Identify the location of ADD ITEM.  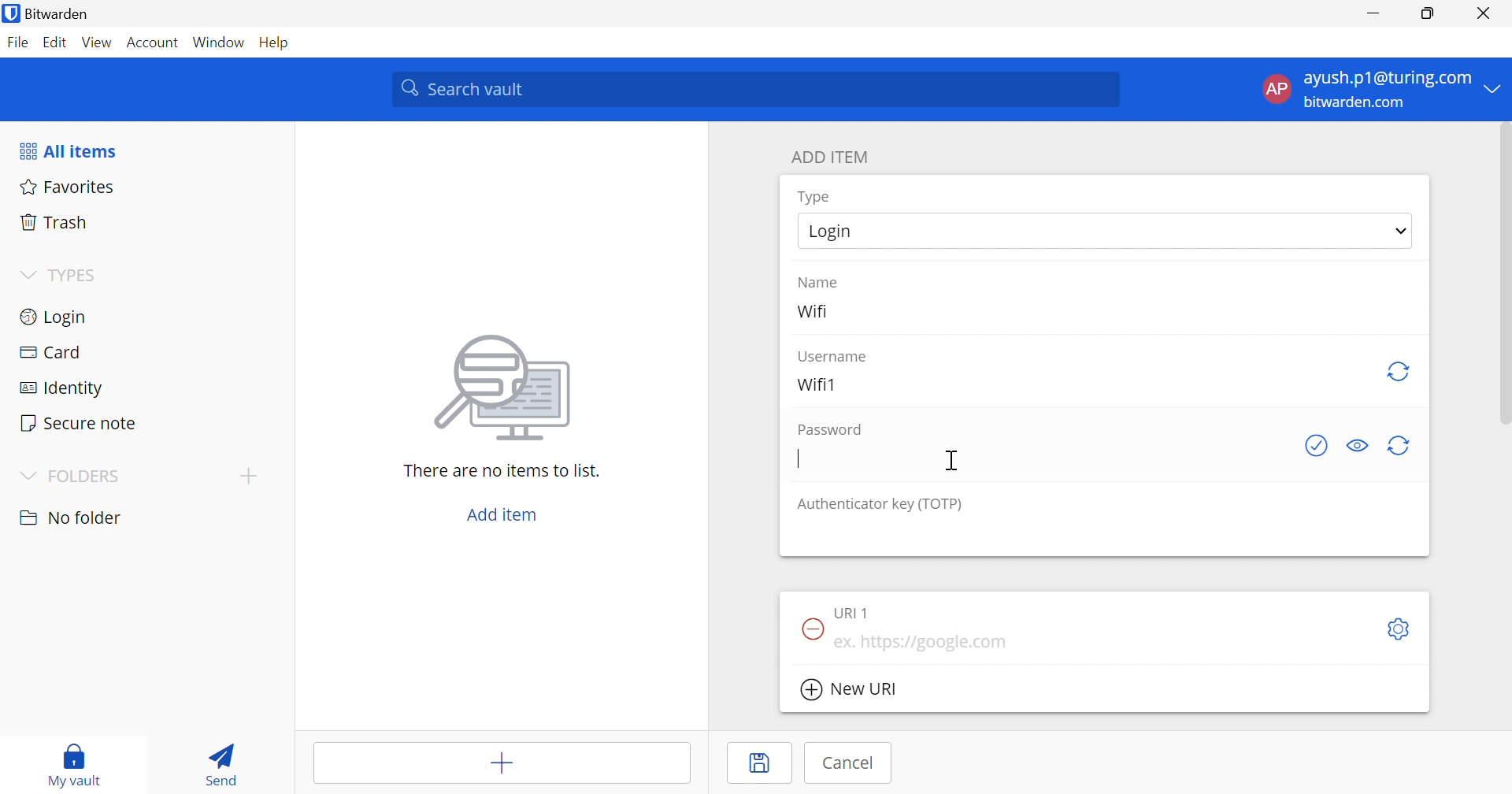
(832, 157).